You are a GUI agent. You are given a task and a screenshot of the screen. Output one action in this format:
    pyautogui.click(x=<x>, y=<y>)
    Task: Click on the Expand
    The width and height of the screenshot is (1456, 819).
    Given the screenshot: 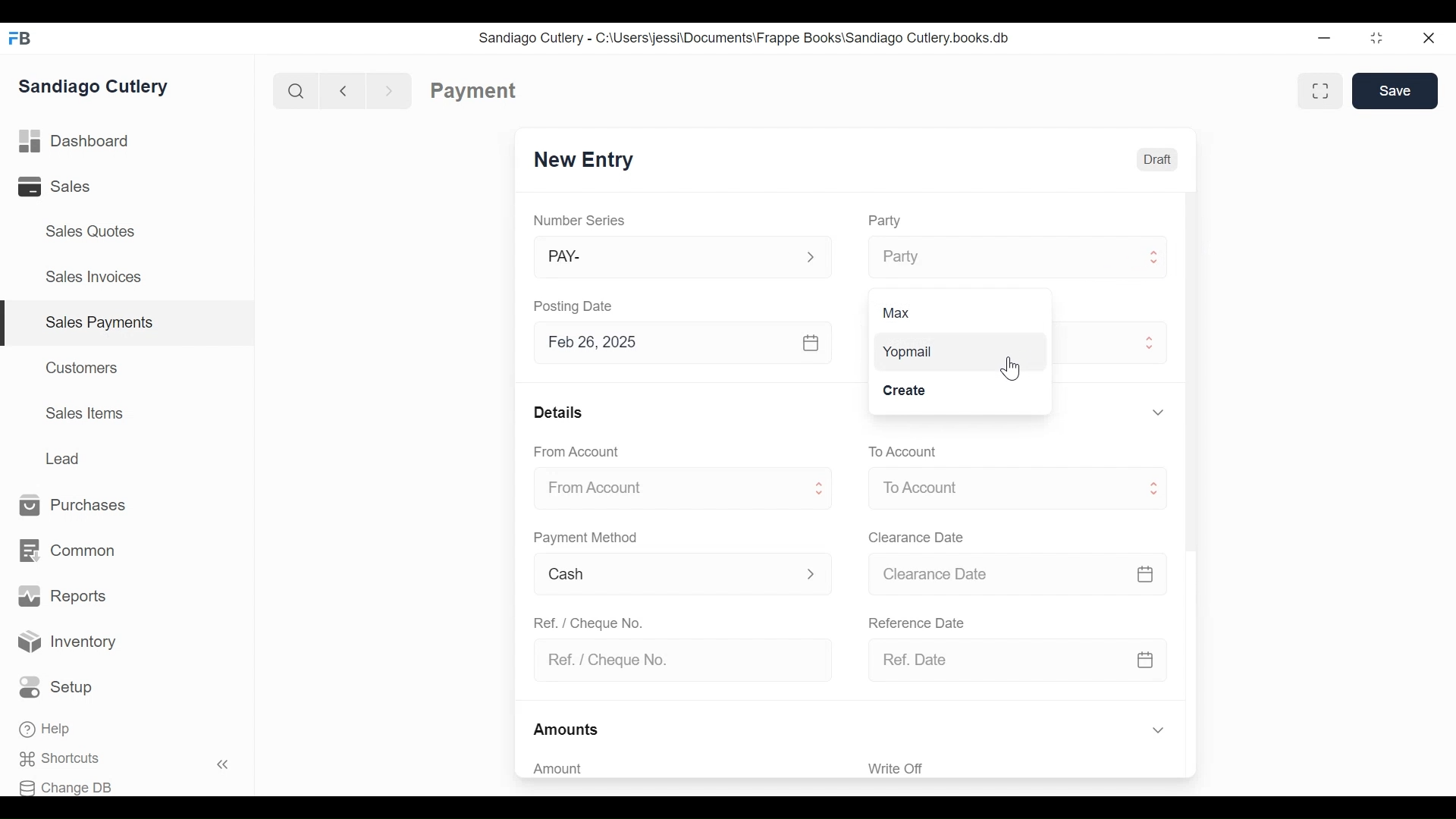 What is the action you would take?
    pyautogui.click(x=821, y=490)
    